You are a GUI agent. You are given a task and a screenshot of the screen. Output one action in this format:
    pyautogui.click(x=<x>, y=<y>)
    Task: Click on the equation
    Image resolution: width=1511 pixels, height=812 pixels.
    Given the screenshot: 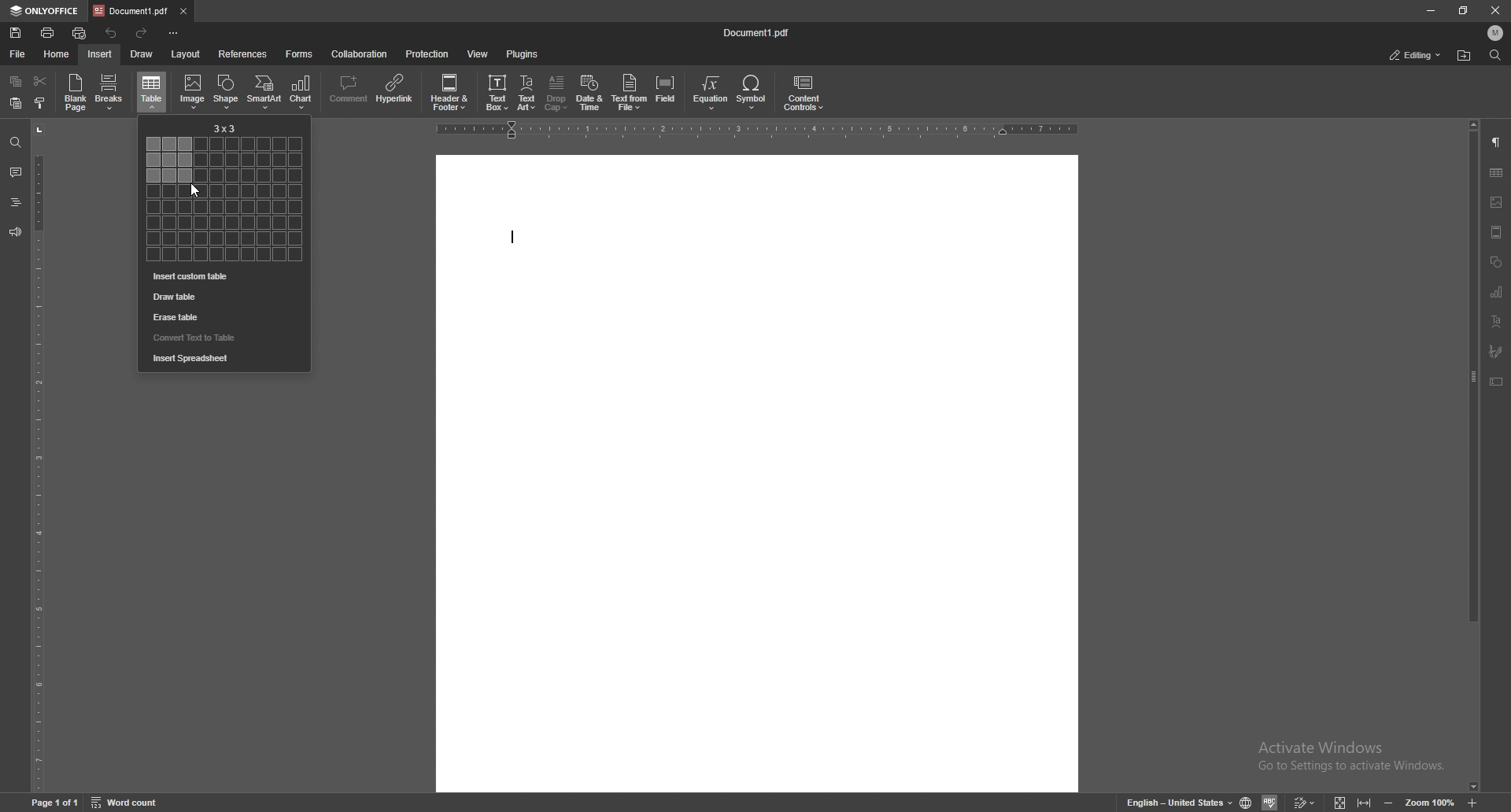 What is the action you would take?
    pyautogui.click(x=710, y=94)
    